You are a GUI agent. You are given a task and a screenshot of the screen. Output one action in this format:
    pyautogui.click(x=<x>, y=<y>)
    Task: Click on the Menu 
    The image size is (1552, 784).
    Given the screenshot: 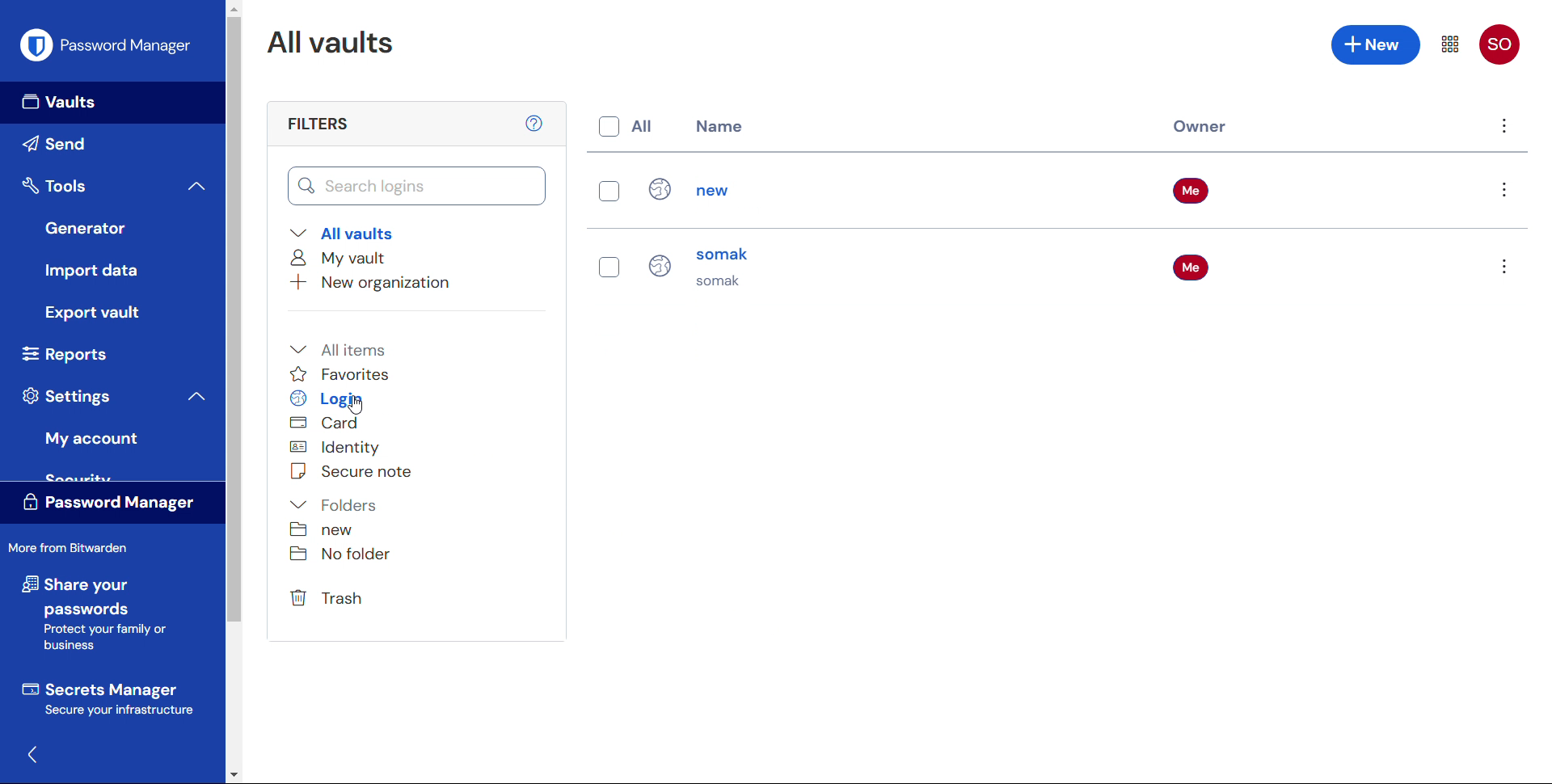 What is the action you would take?
    pyautogui.click(x=1503, y=126)
    